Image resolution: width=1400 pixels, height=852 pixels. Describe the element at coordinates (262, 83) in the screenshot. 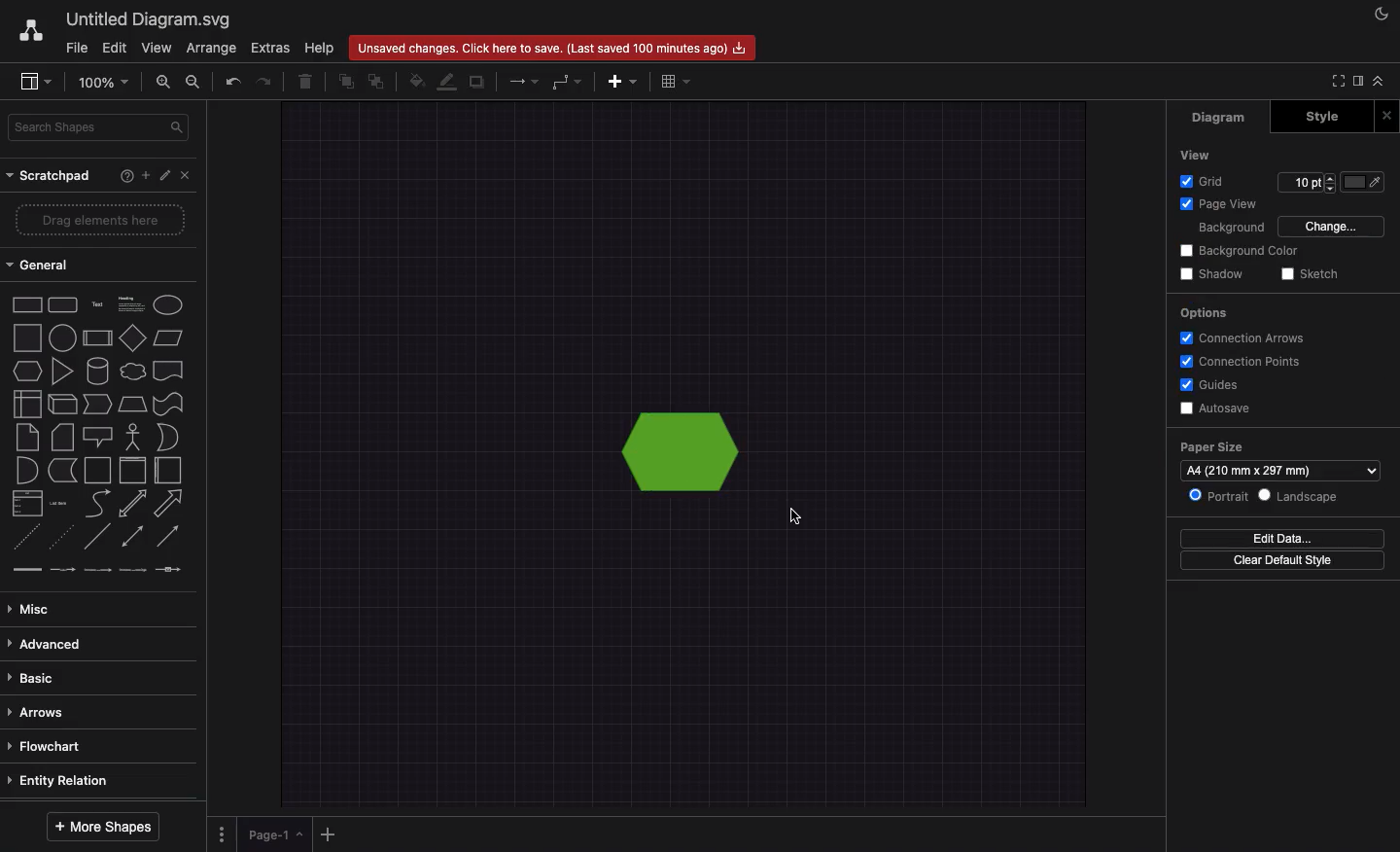

I see `Redo` at that location.